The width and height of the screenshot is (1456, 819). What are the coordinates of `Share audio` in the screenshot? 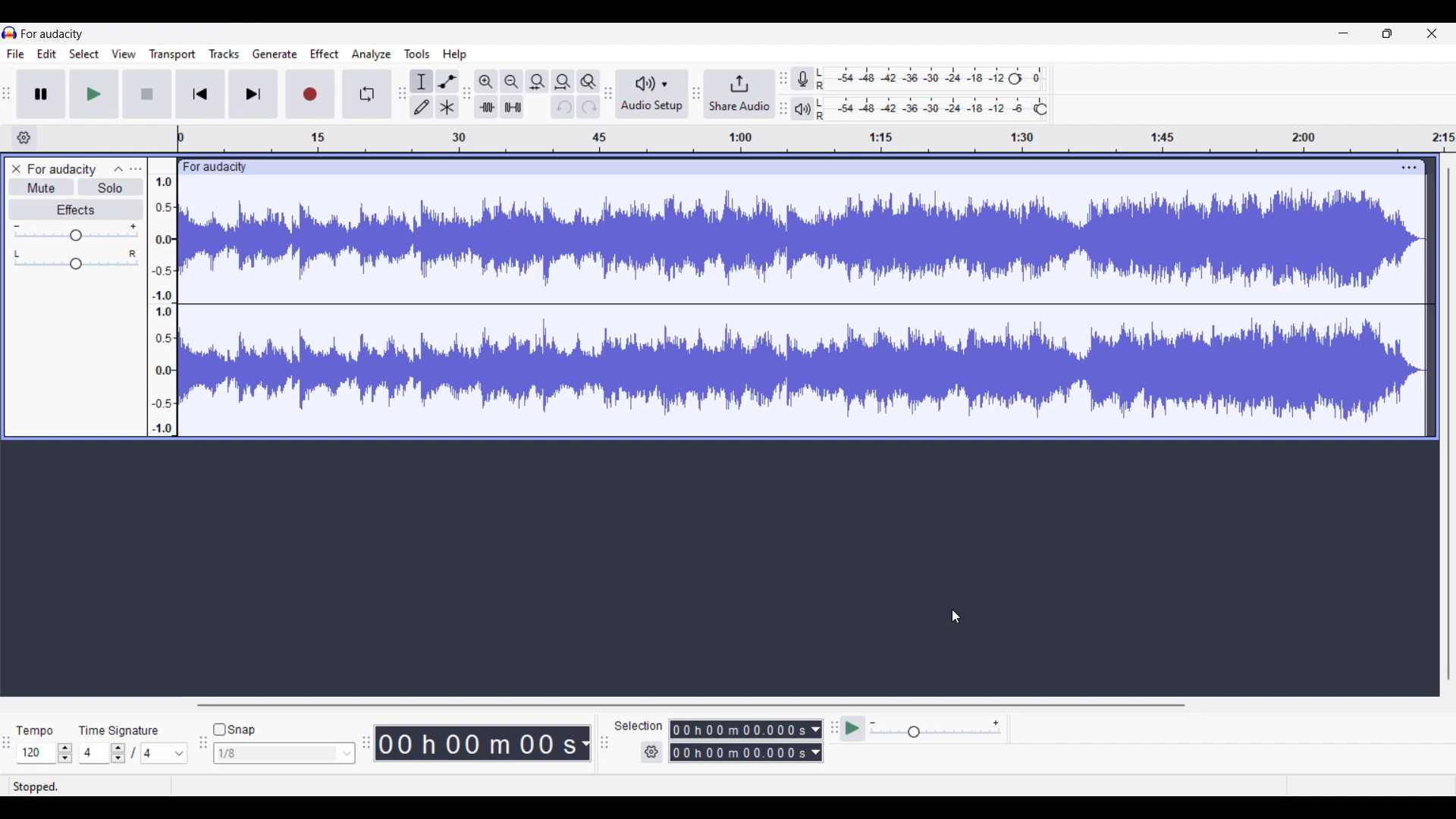 It's located at (739, 94).